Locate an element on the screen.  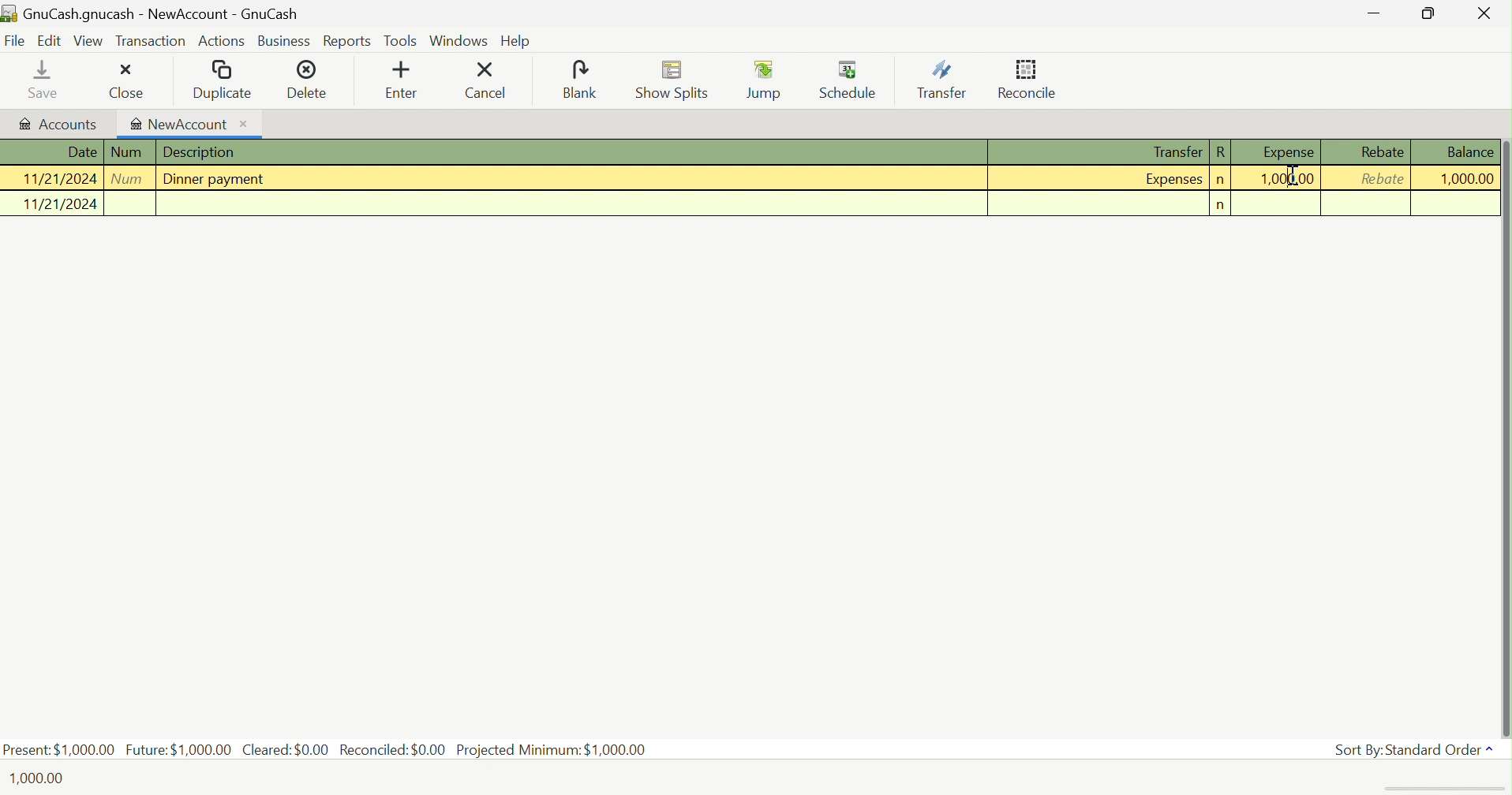
Transfer is located at coordinates (1174, 151).